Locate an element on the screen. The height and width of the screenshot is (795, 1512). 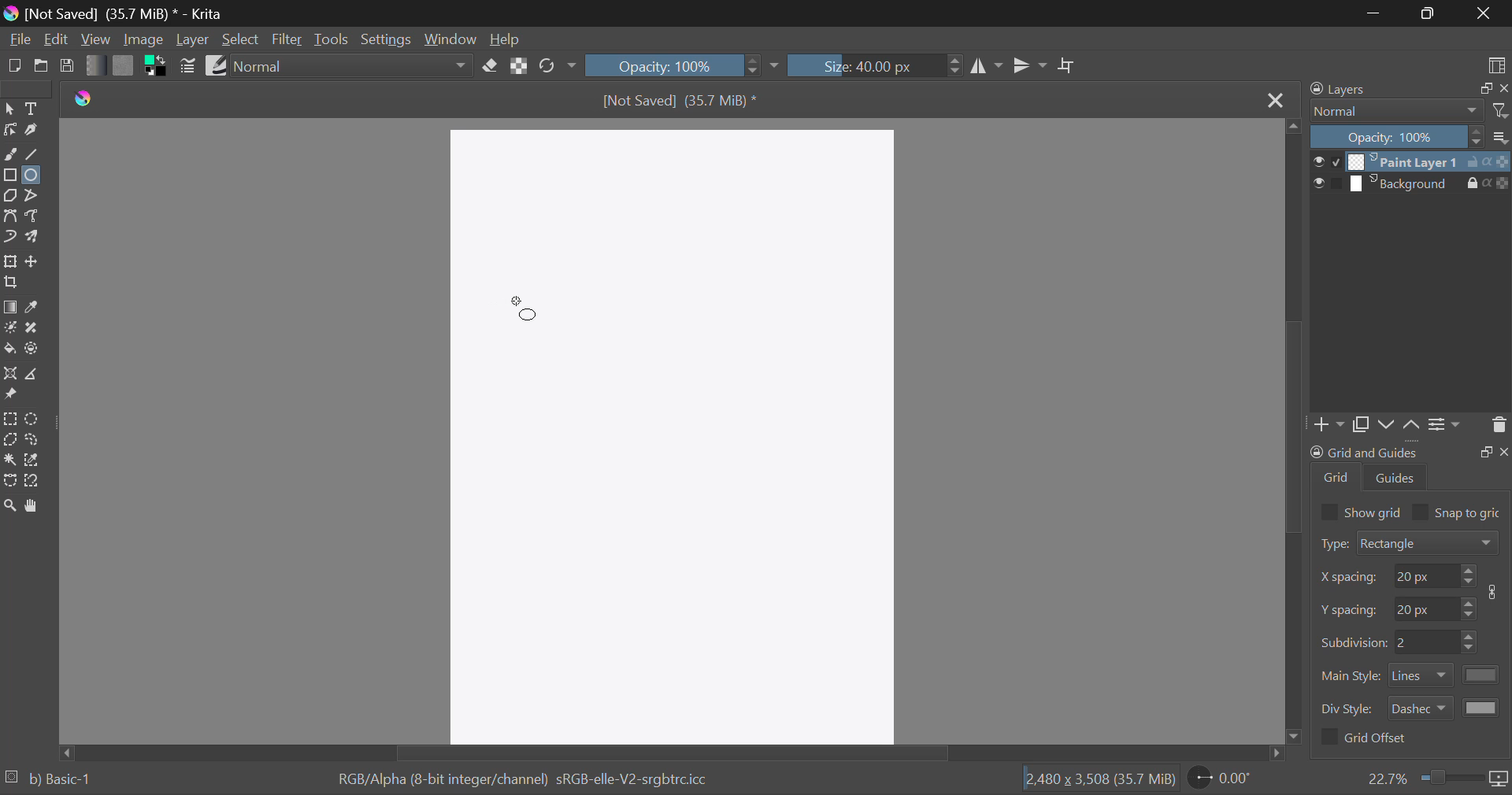
Similar Color Selection is located at coordinates (32, 461).